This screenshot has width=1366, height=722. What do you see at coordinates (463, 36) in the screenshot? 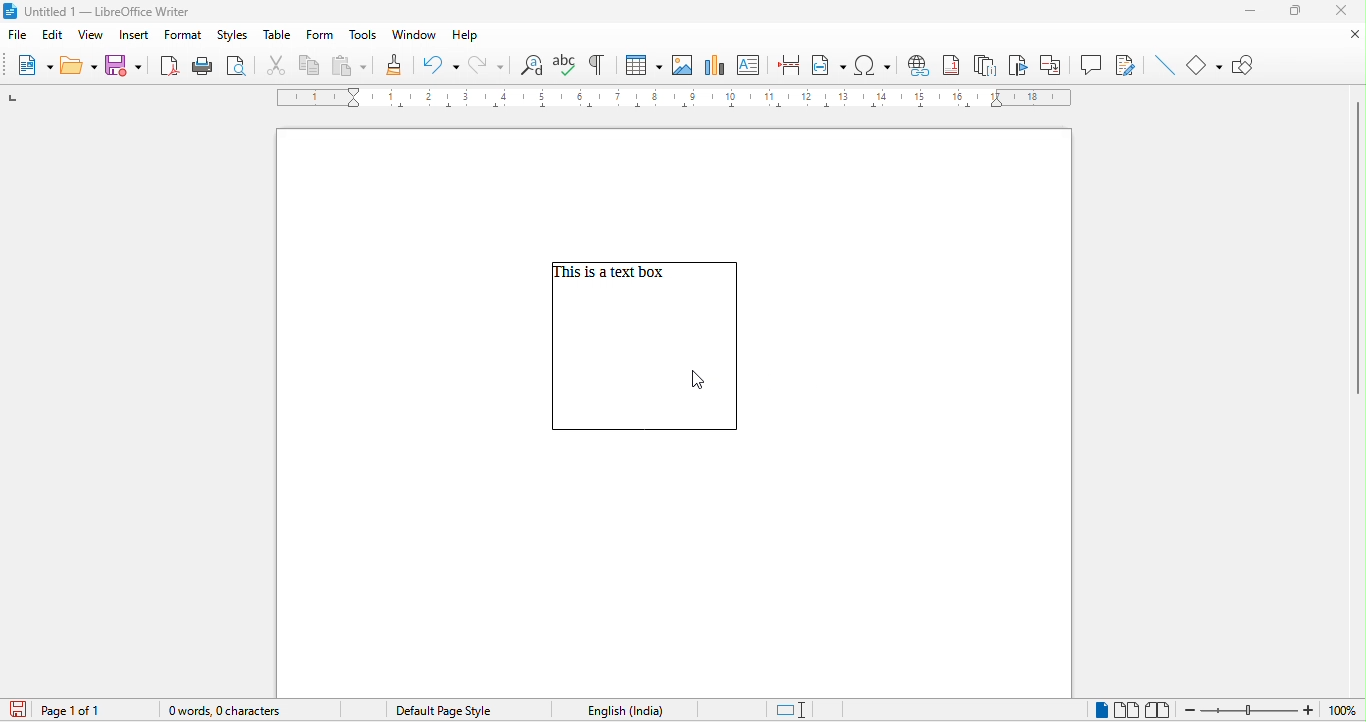
I see `help` at bounding box center [463, 36].